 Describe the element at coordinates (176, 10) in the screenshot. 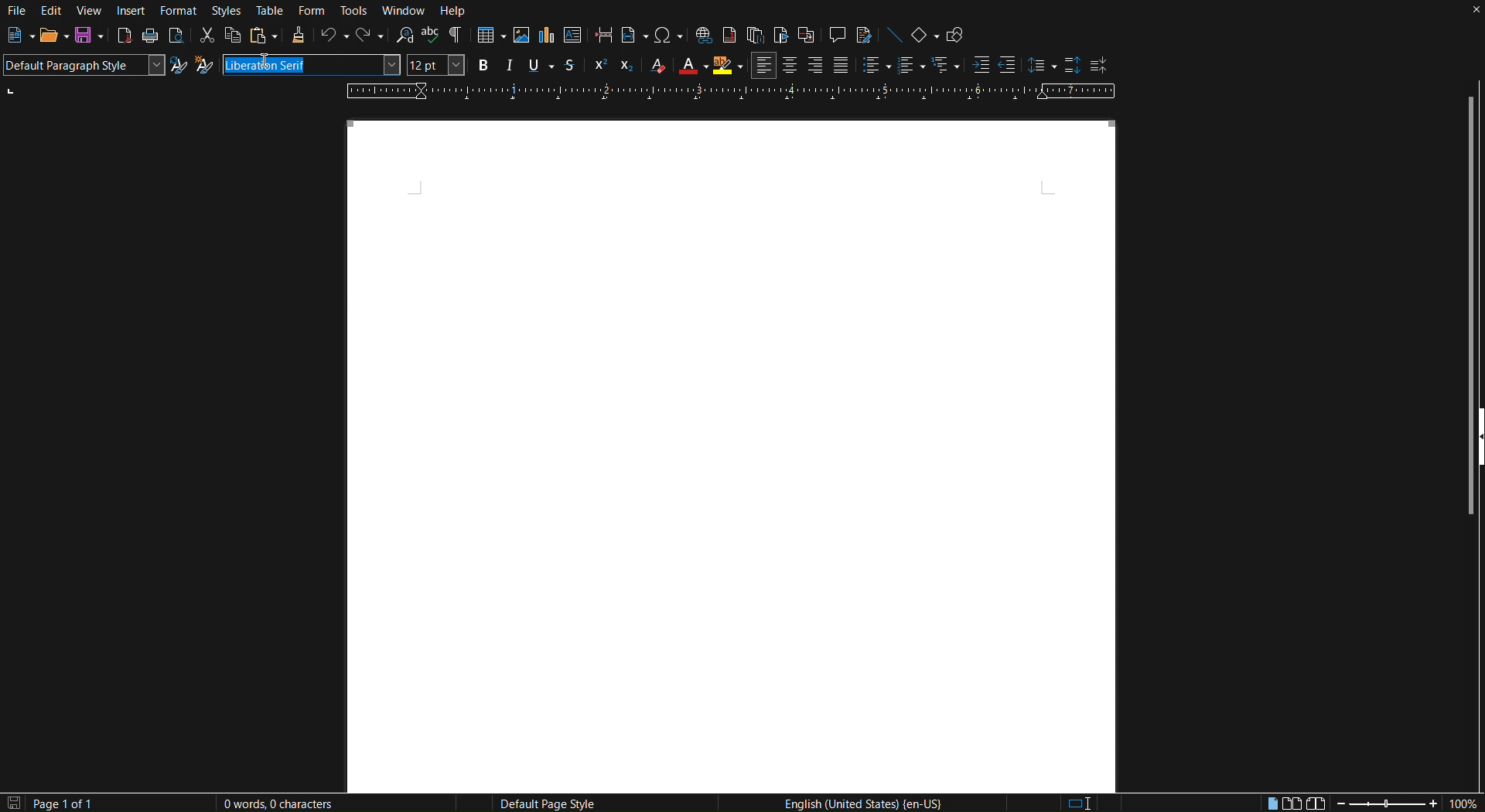

I see `Format` at that location.